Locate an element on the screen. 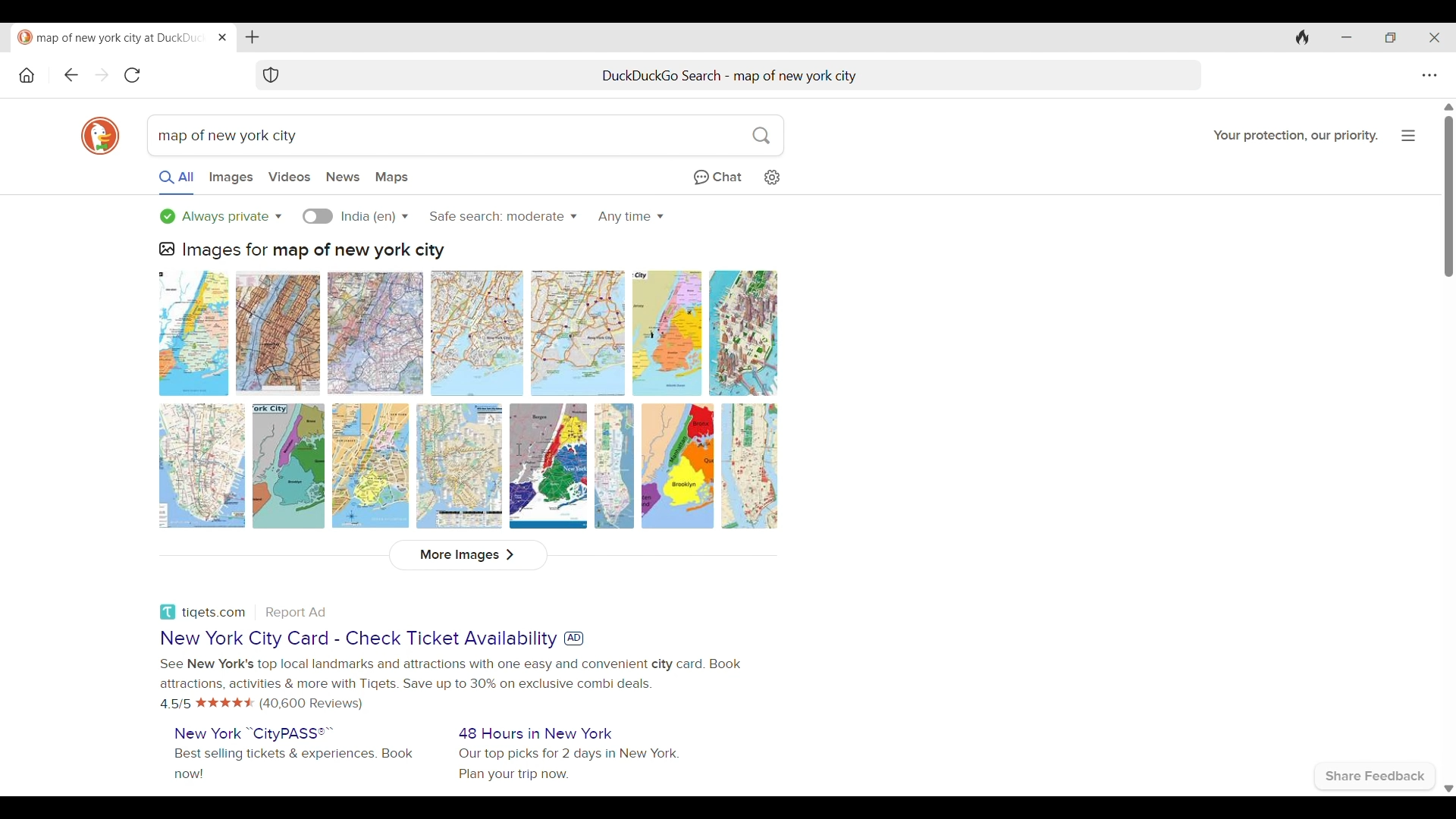 The image size is (1456, 819). (40,600 Reviews) is located at coordinates (311, 704).